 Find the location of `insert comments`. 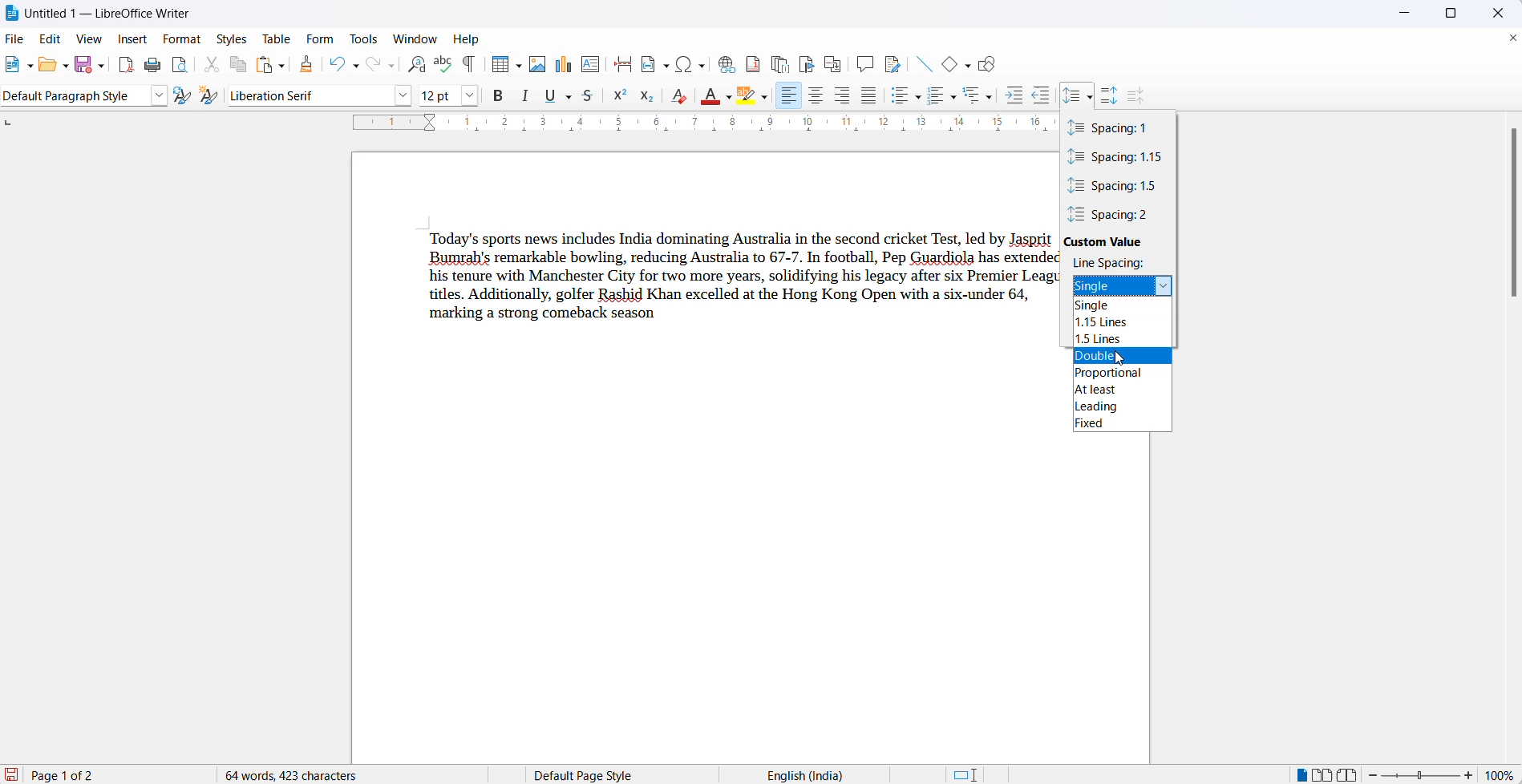

insert comments is located at coordinates (864, 63).